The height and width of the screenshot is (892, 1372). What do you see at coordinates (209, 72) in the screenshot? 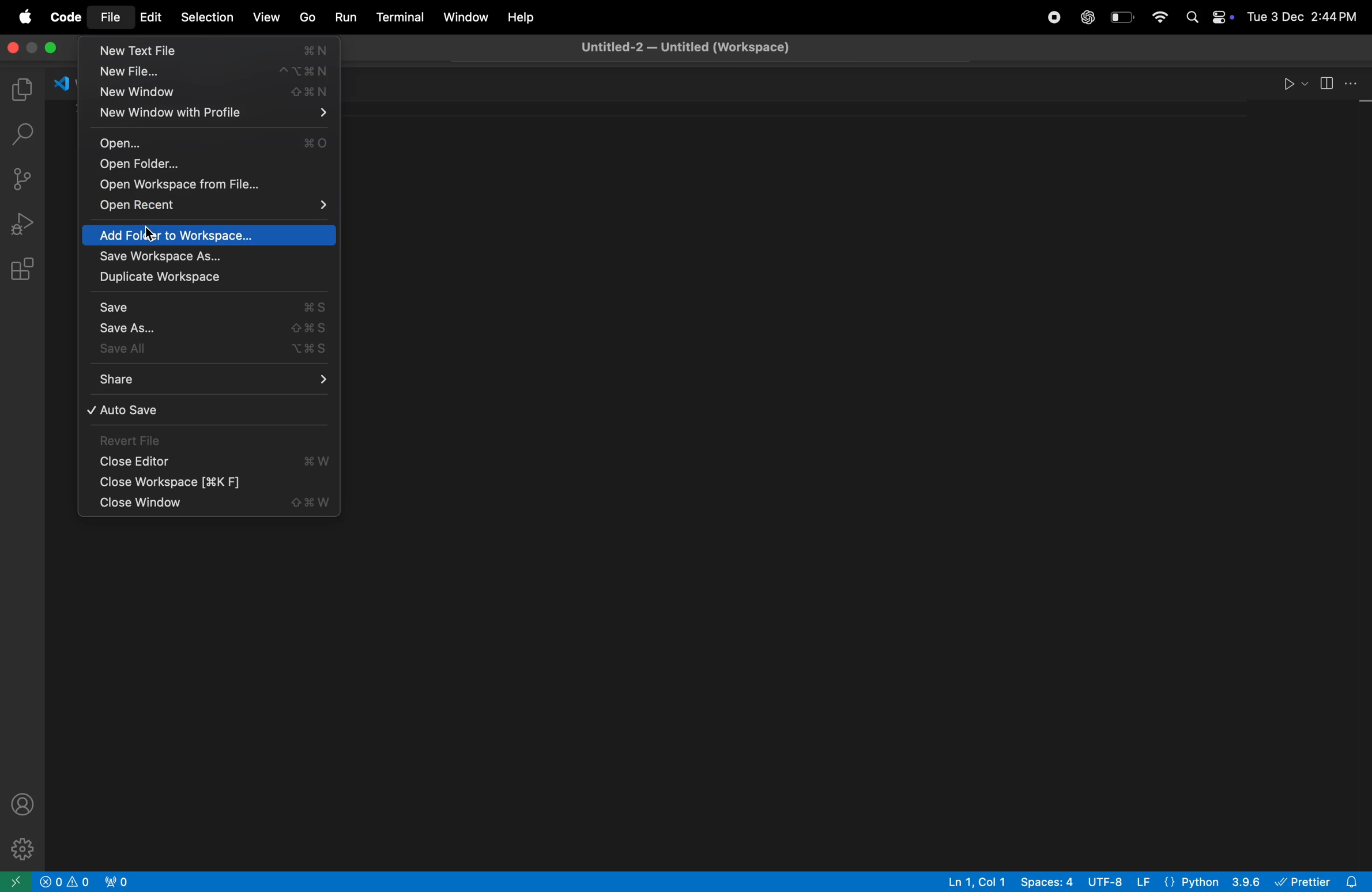
I see `new file` at bounding box center [209, 72].